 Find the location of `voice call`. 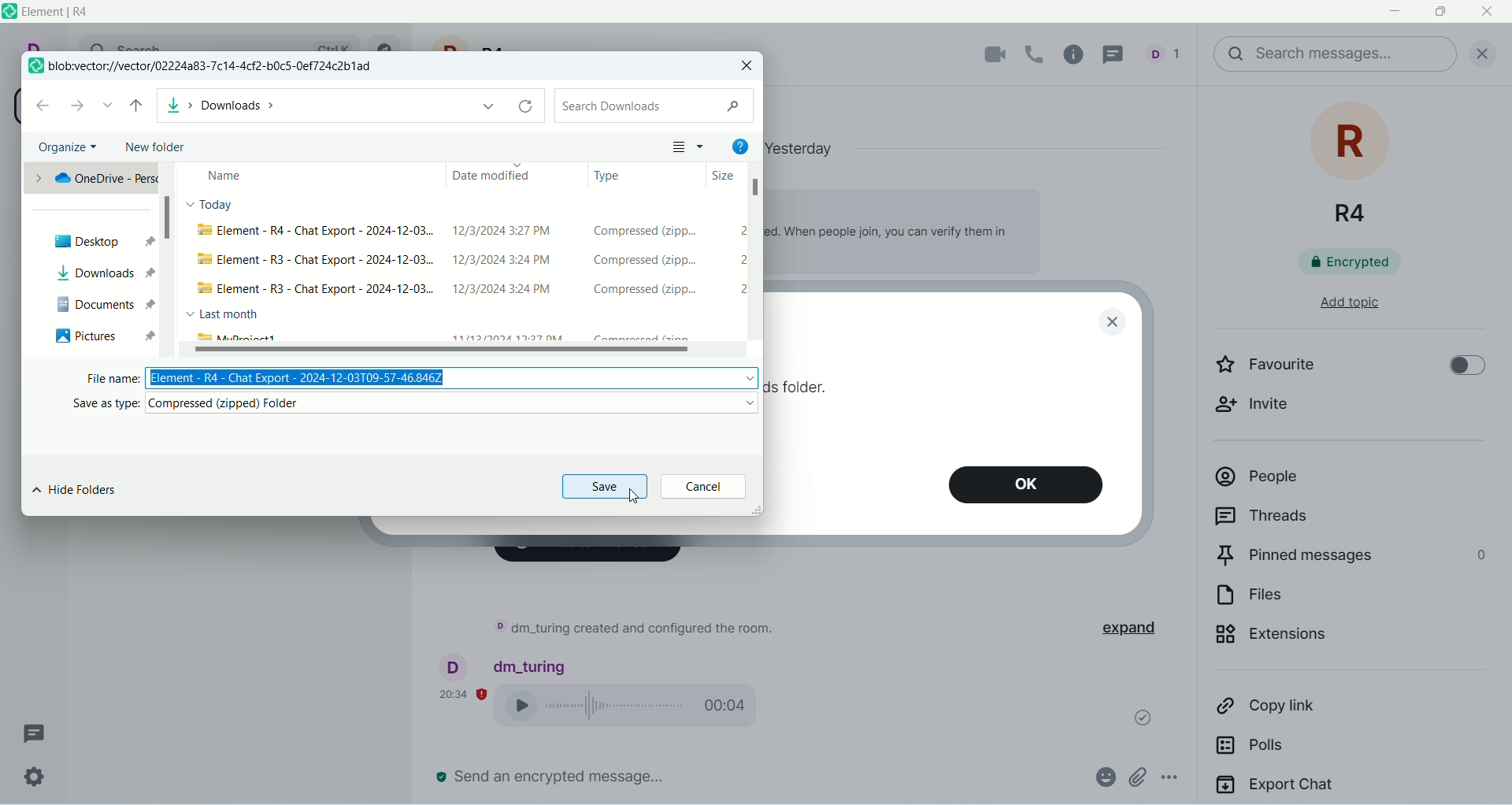

voice call is located at coordinates (636, 708).